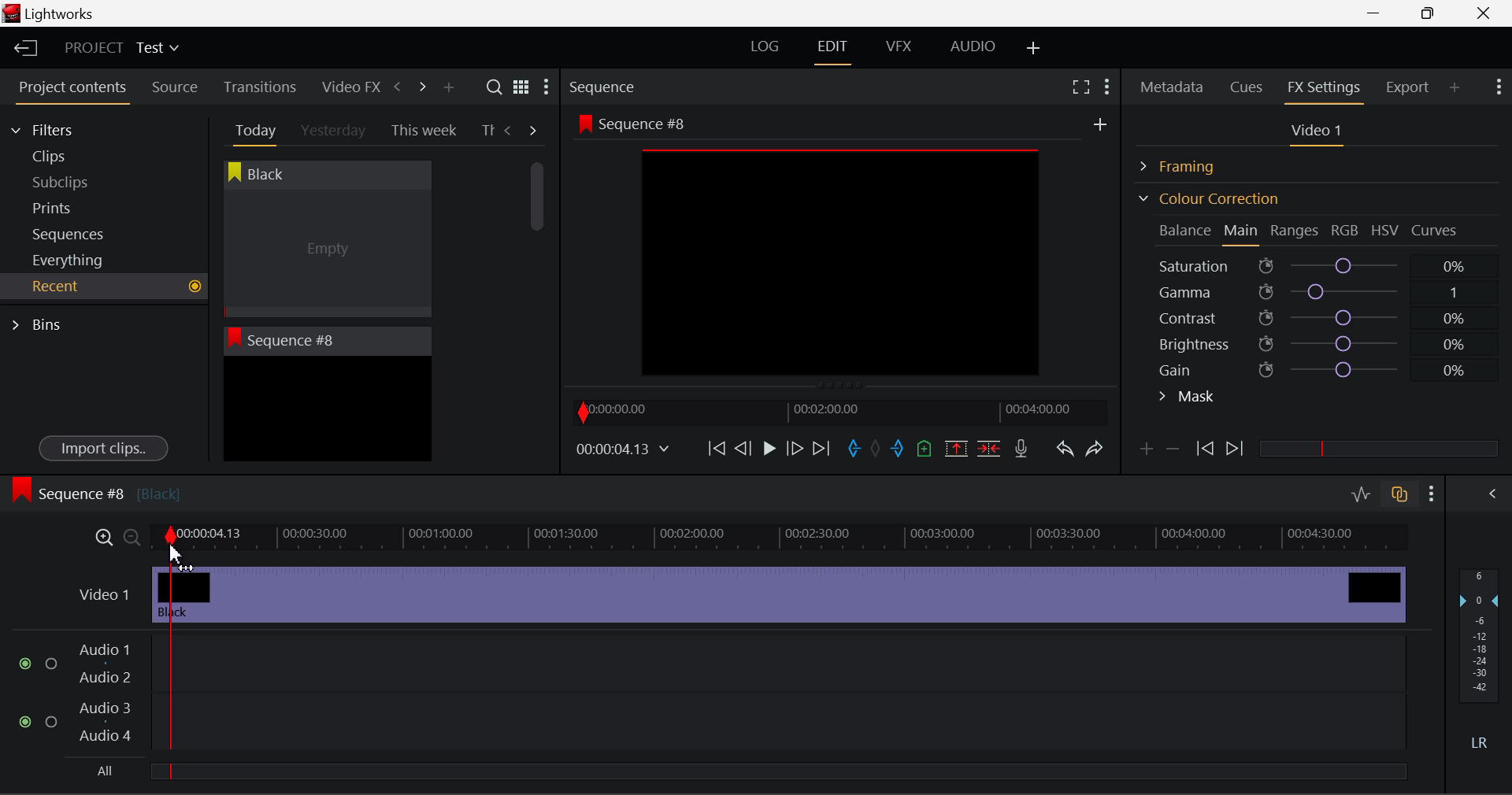 The height and width of the screenshot is (795, 1512). I want to click on Toggle audio track sync, so click(1400, 493).